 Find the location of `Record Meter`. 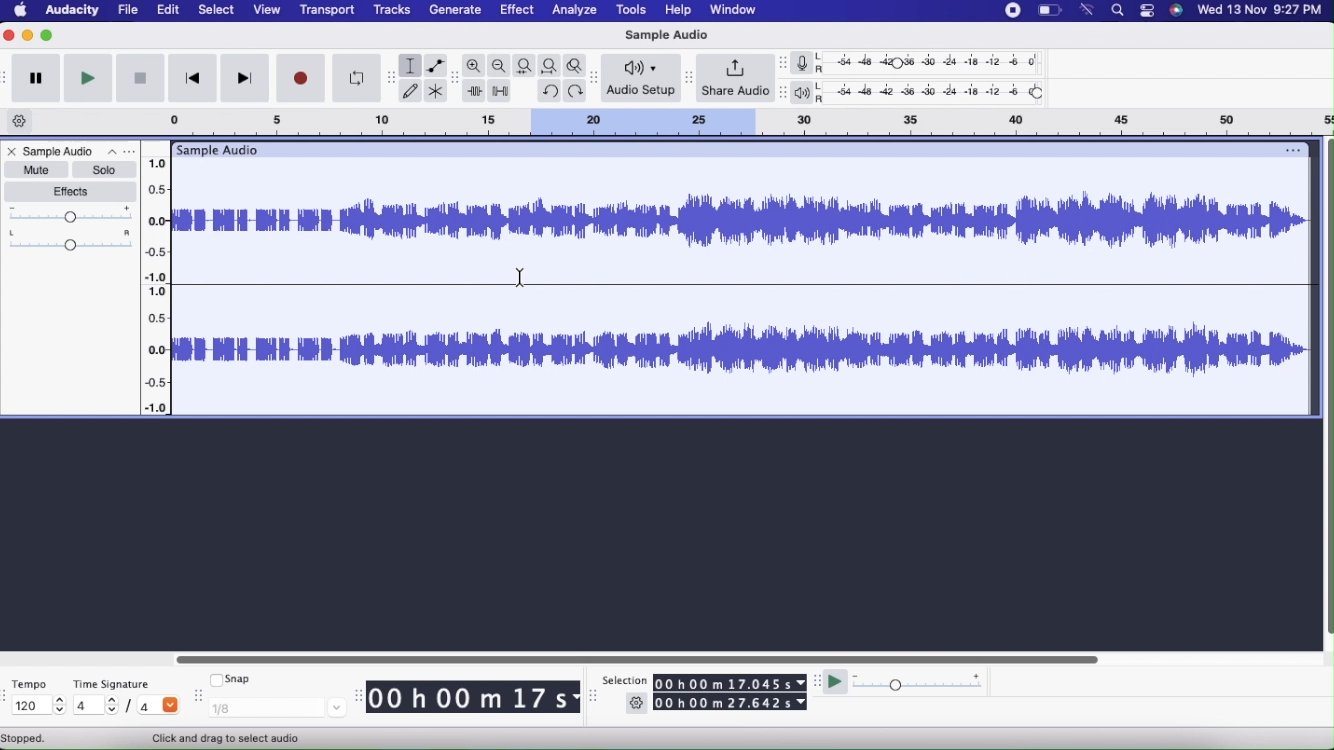

Record Meter is located at coordinates (808, 63).